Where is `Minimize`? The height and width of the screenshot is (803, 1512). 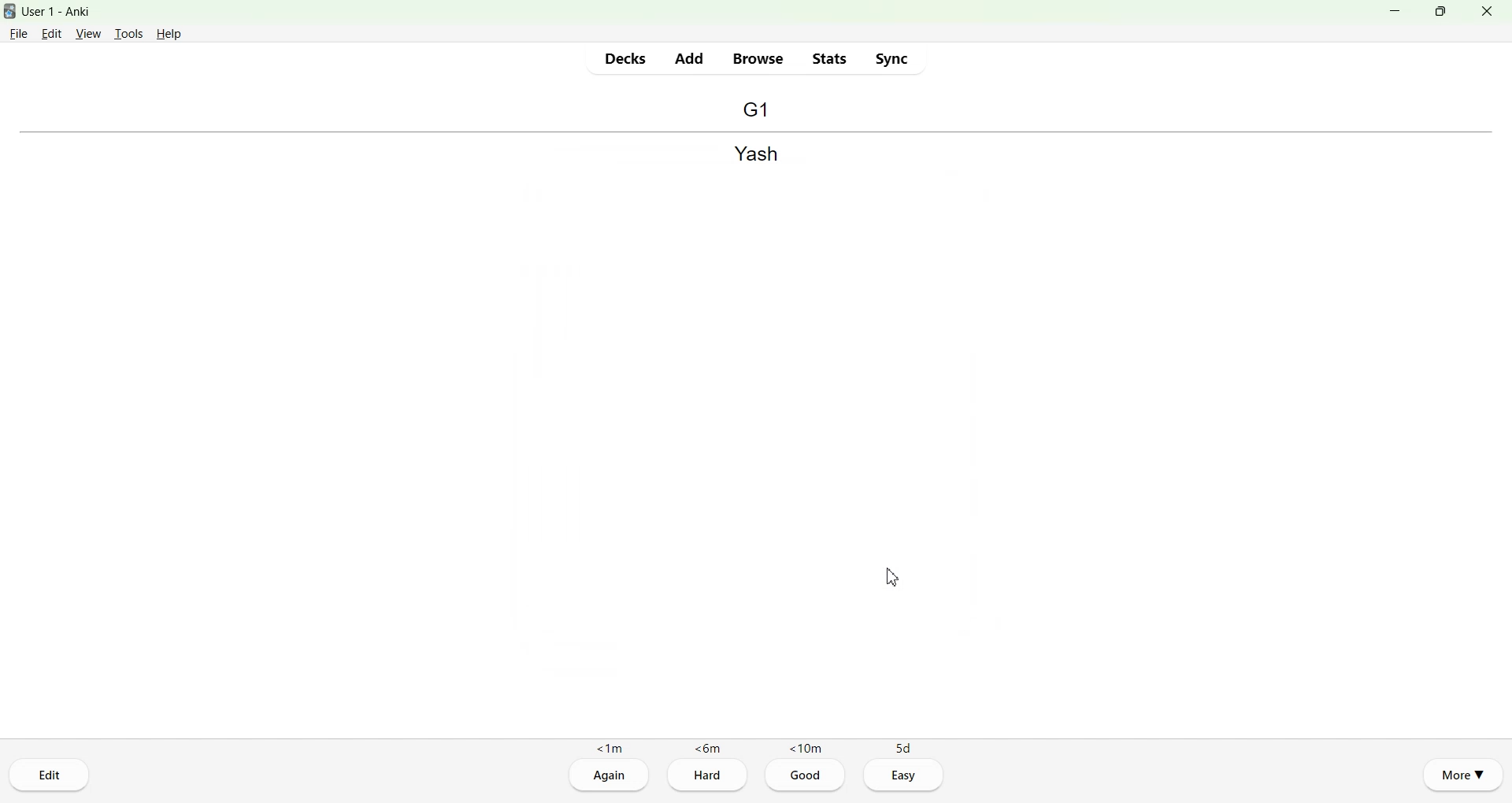
Minimize is located at coordinates (1397, 11).